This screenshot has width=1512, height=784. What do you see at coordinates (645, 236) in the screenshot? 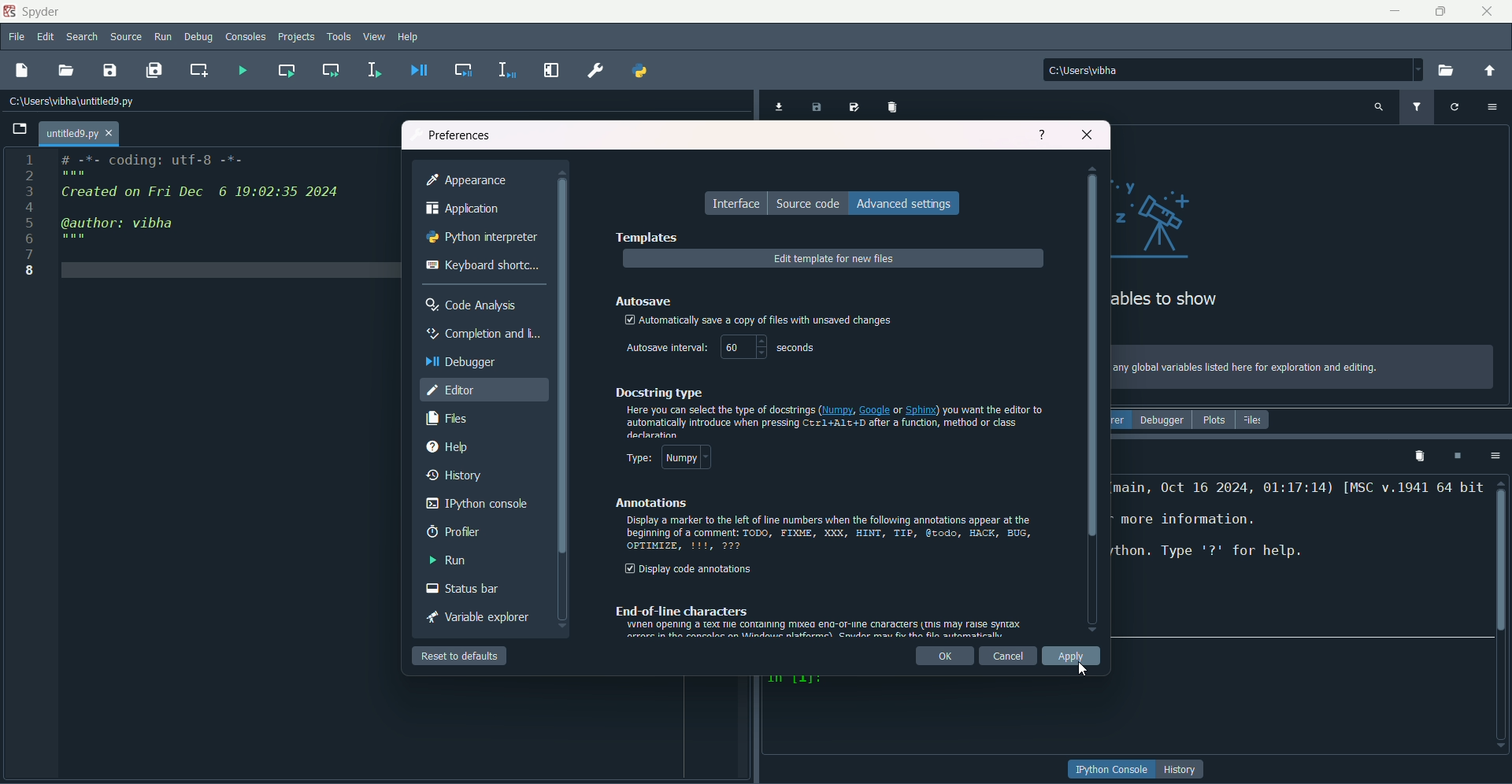
I see `templates` at bounding box center [645, 236].